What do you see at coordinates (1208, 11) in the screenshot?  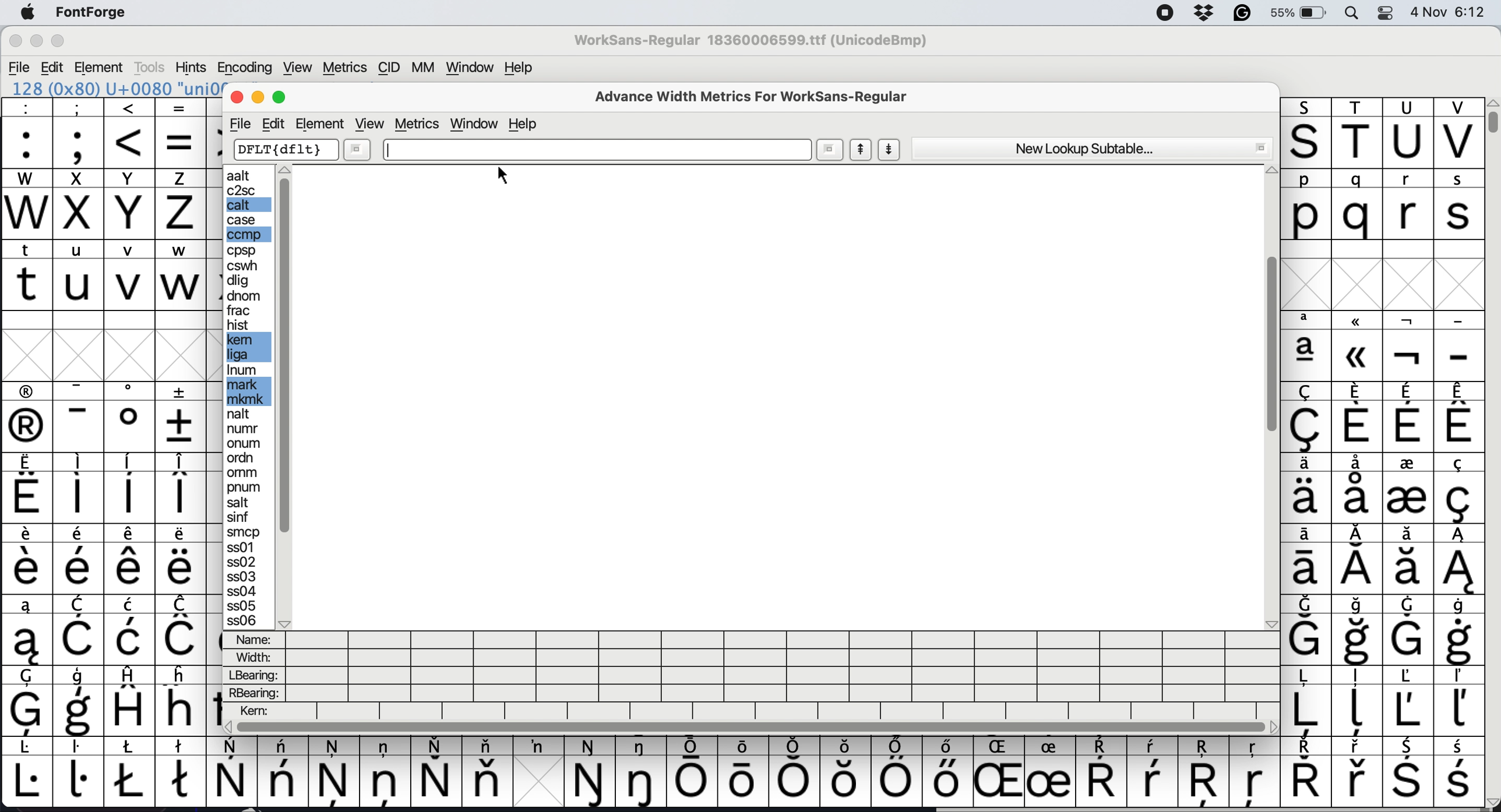 I see `dropbox` at bounding box center [1208, 11].